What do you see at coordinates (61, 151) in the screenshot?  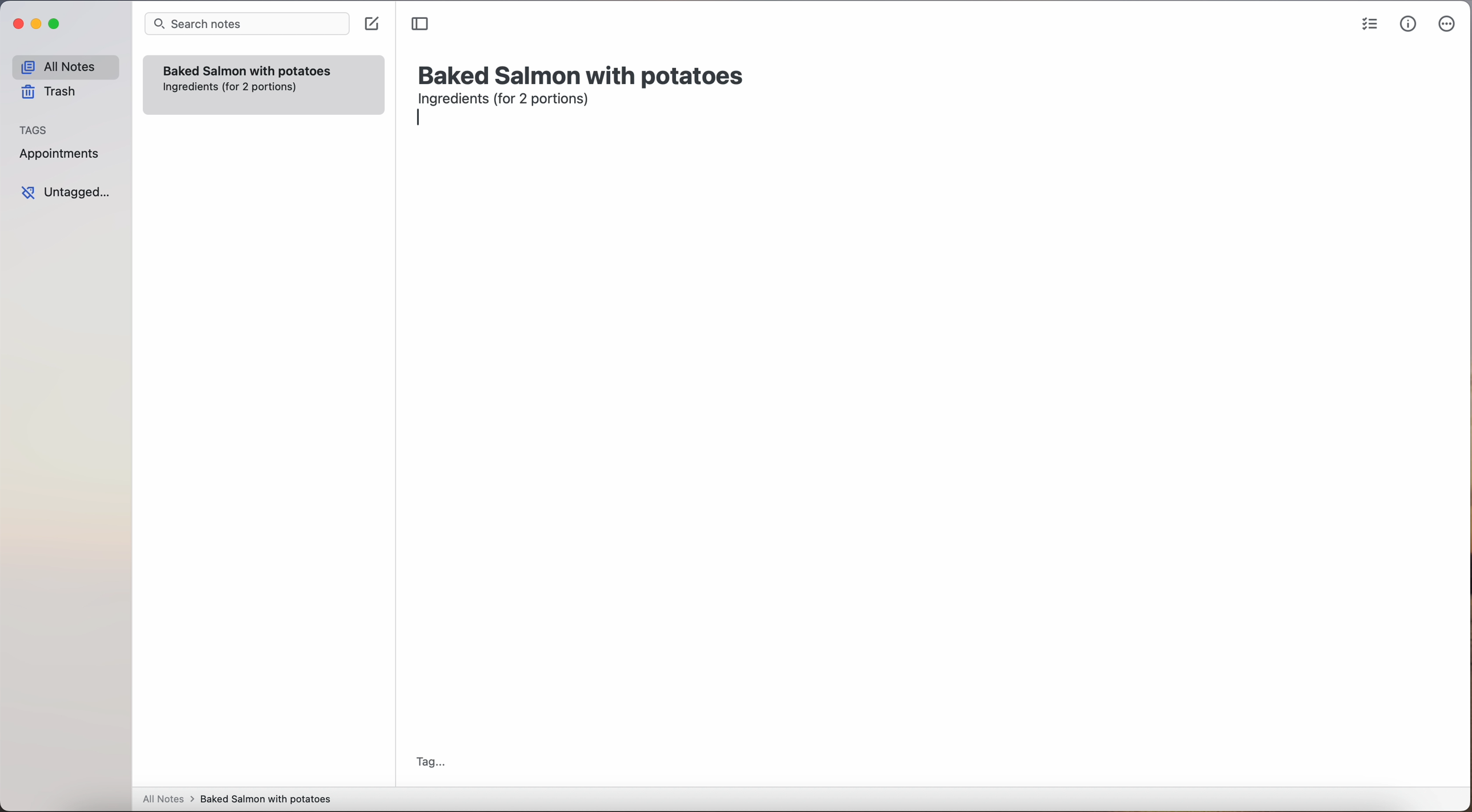 I see `appointments tag` at bounding box center [61, 151].